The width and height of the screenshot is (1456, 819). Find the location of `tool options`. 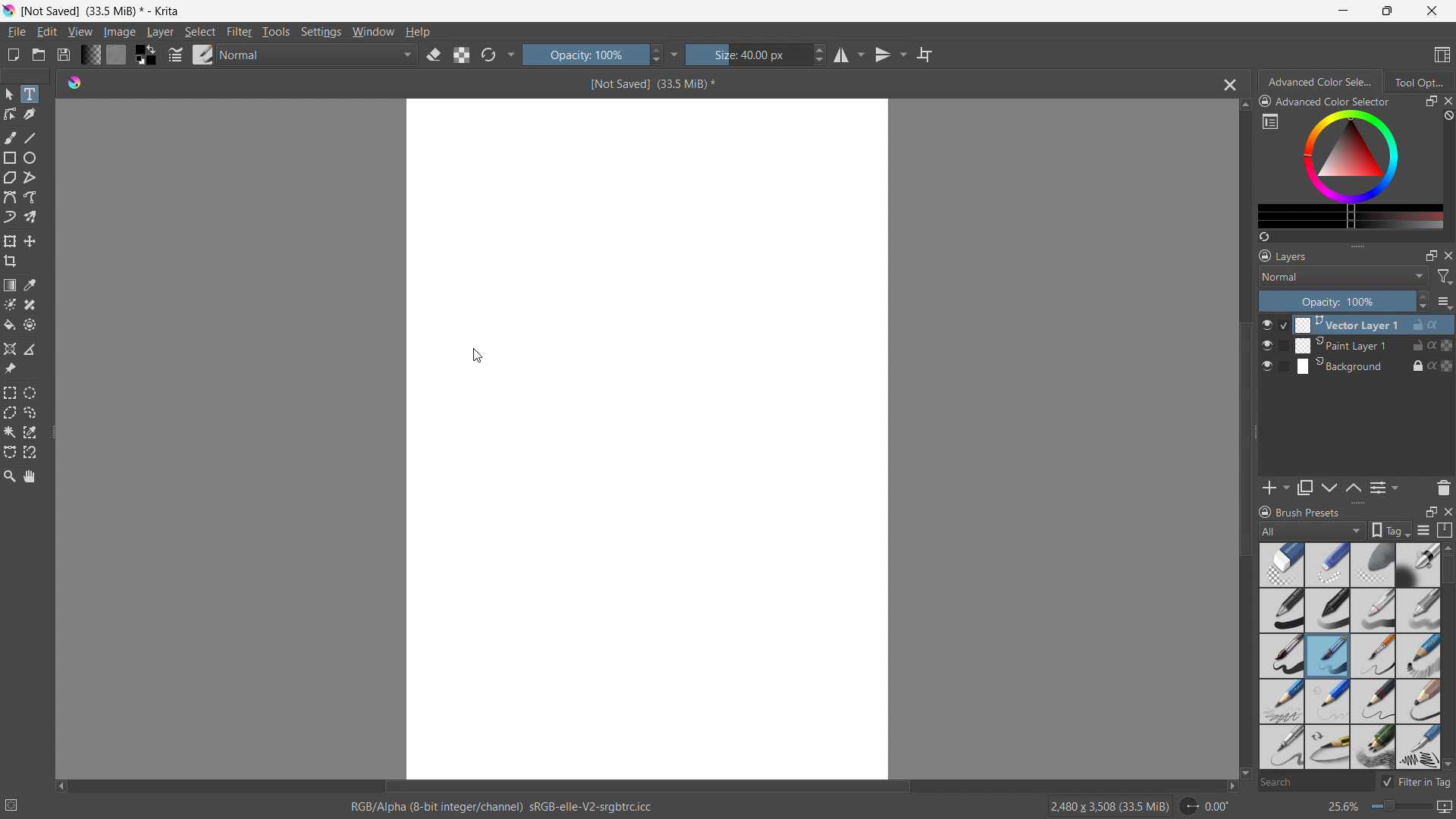

tool options is located at coordinates (1418, 81).